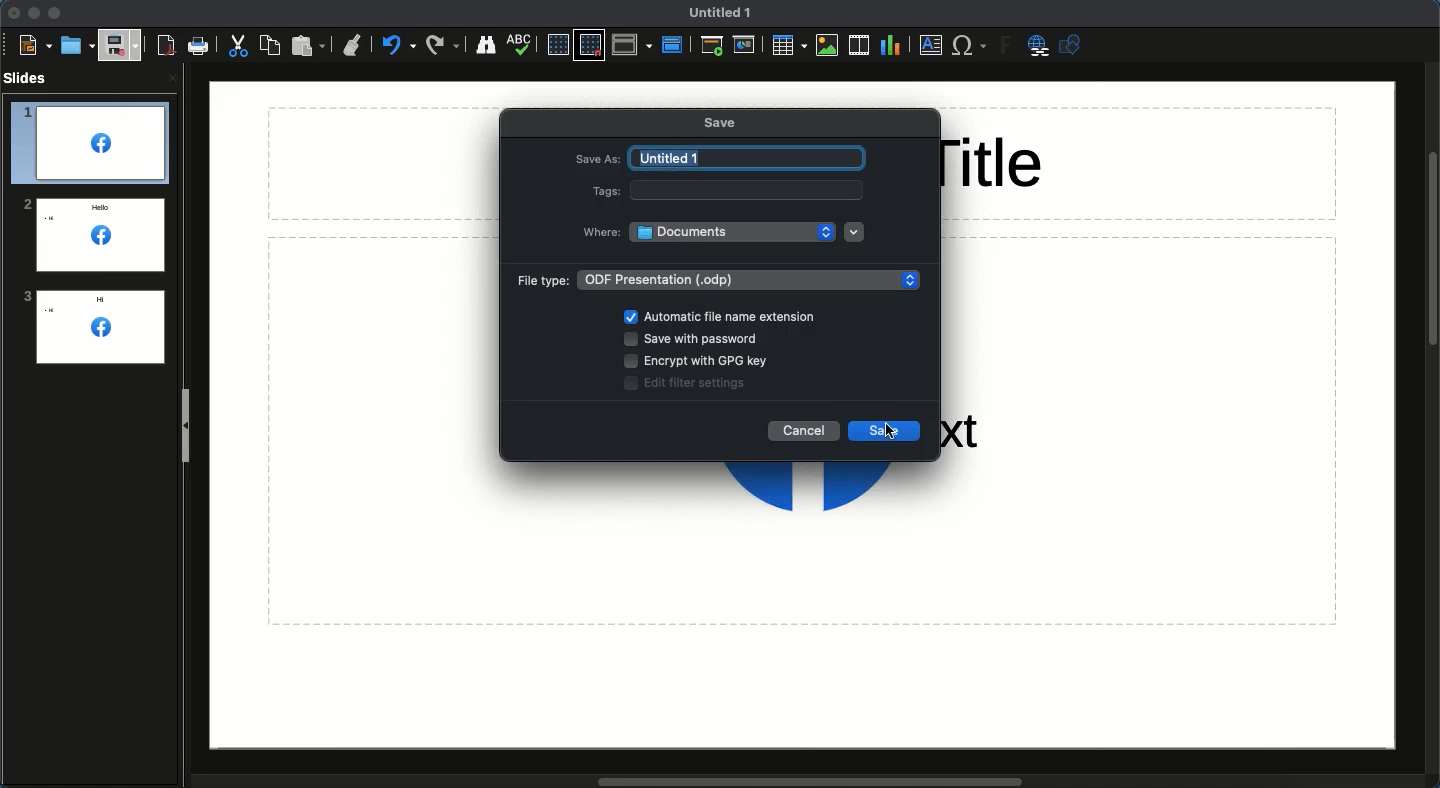  Describe the element at coordinates (722, 156) in the screenshot. I see `Save as` at that location.